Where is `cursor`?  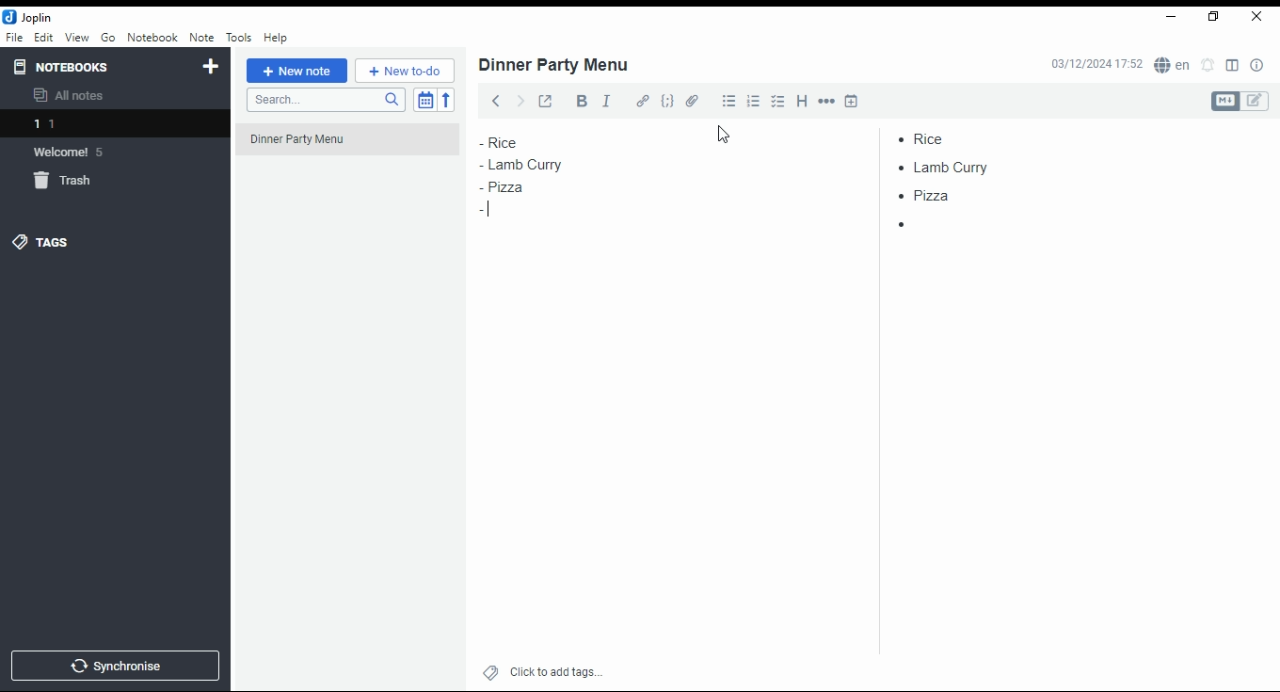
cursor is located at coordinates (726, 136).